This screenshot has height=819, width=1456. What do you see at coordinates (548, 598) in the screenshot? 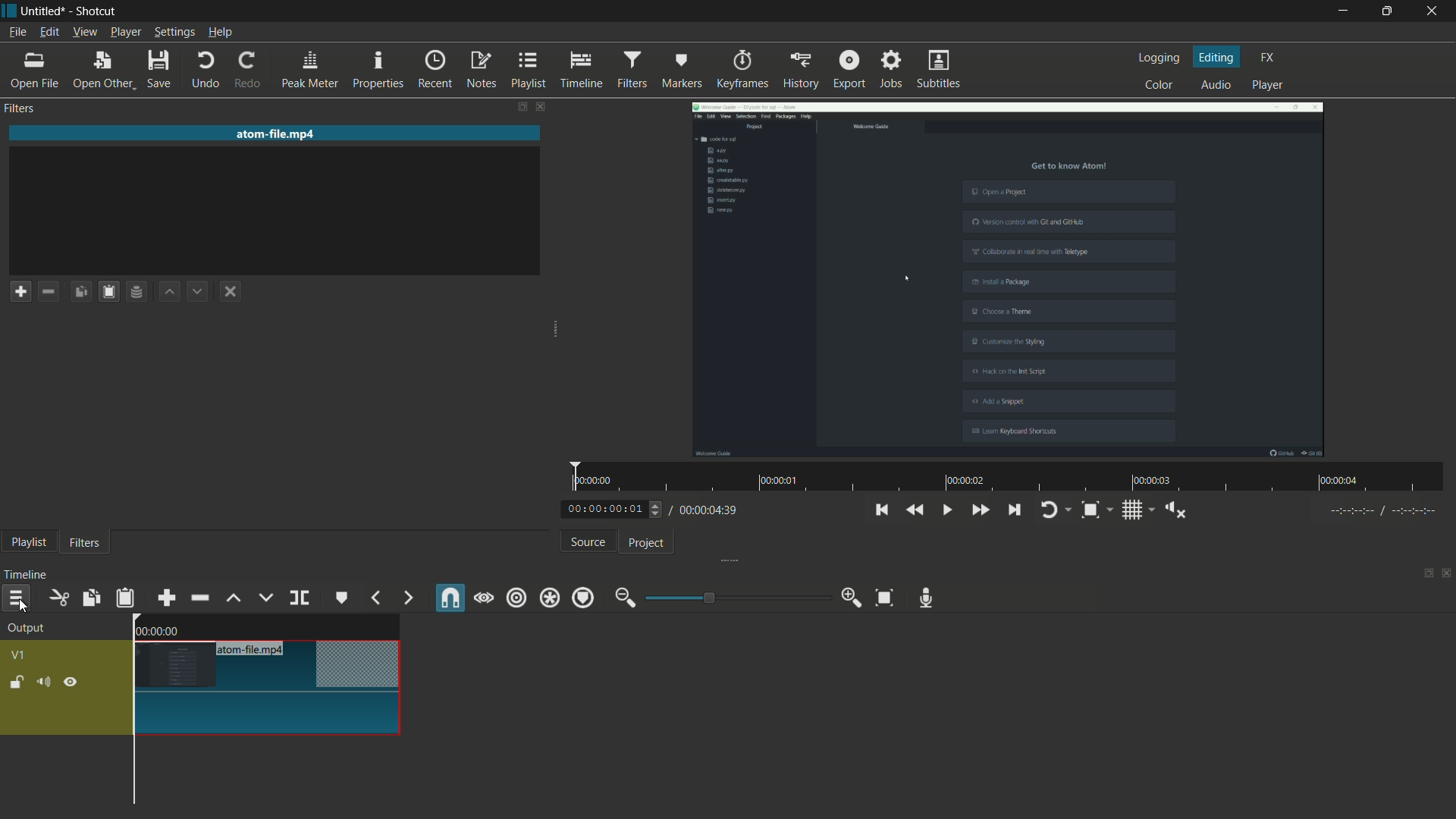
I see `ripple all tracks` at bounding box center [548, 598].